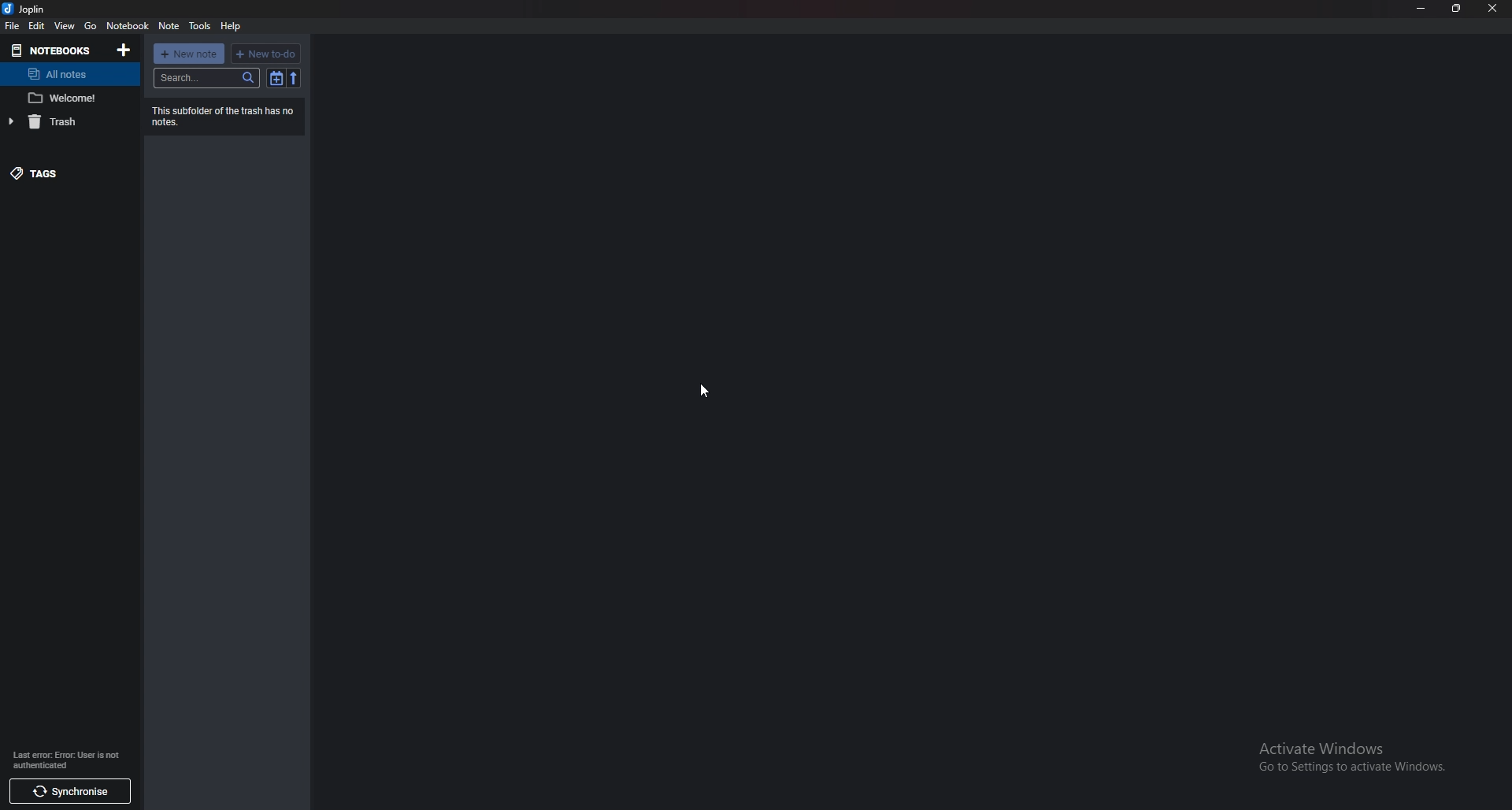 Image resolution: width=1512 pixels, height=810 pixels. What do you see at coordinates (277, 78) in the screenshot?
I see `Toggle sort` at bounding box center [277, 78].